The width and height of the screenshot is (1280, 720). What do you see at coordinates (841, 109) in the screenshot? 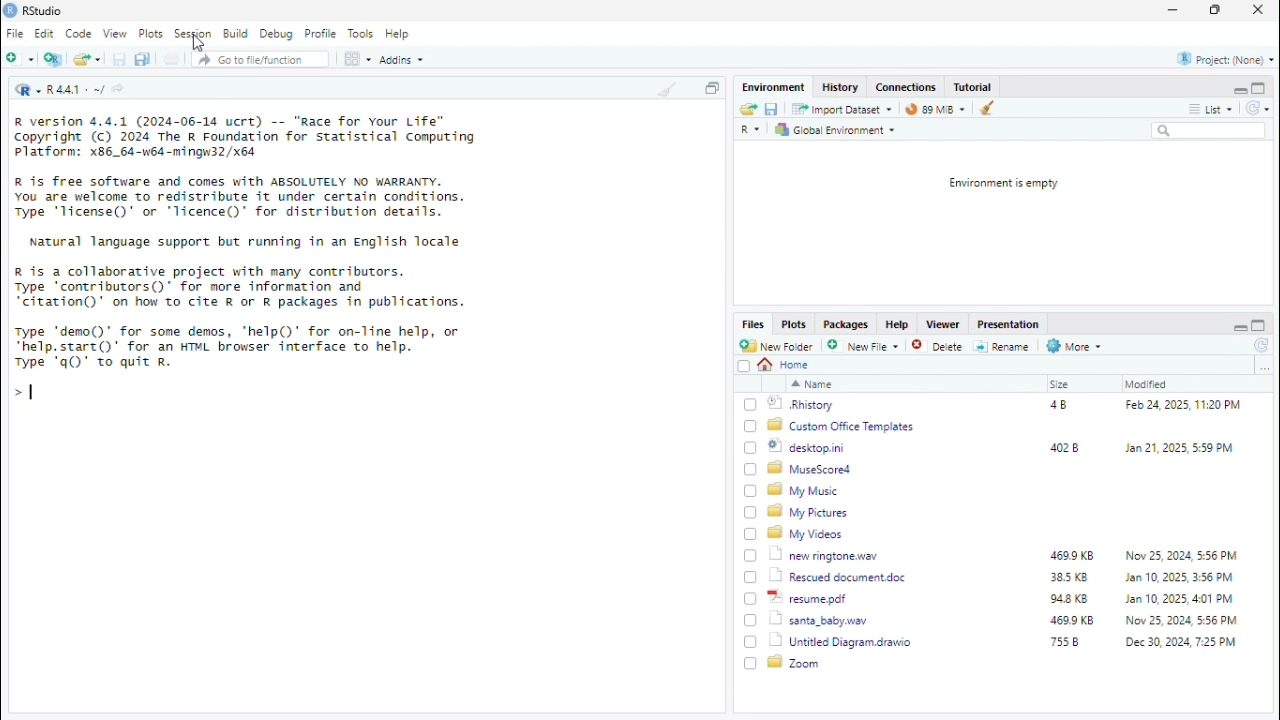
I see `Import Dataset` at bounding box center [841, 109].